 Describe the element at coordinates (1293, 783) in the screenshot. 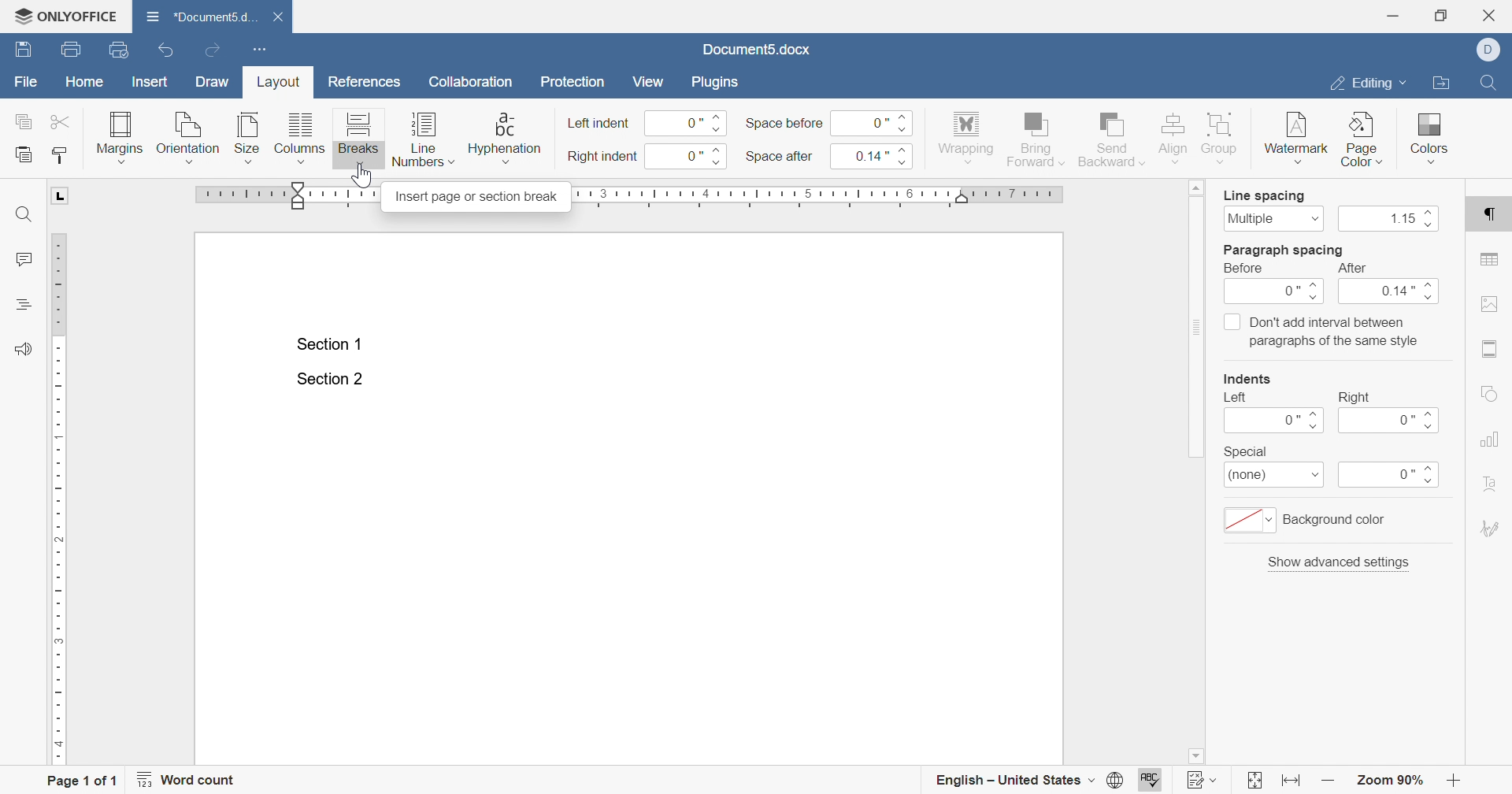

I see `fit to width` at that location.